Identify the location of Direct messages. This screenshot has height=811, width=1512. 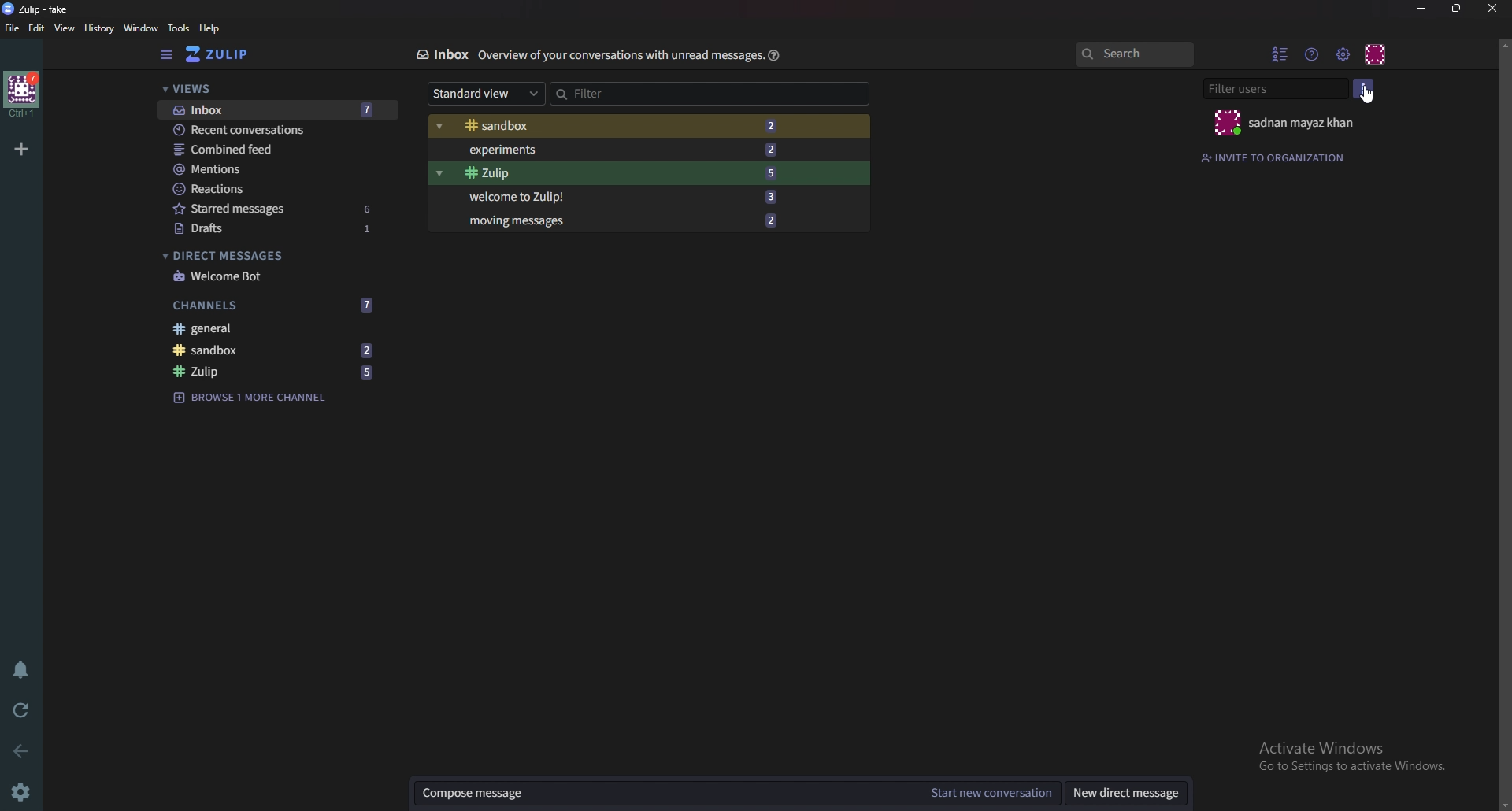
(272, 254).